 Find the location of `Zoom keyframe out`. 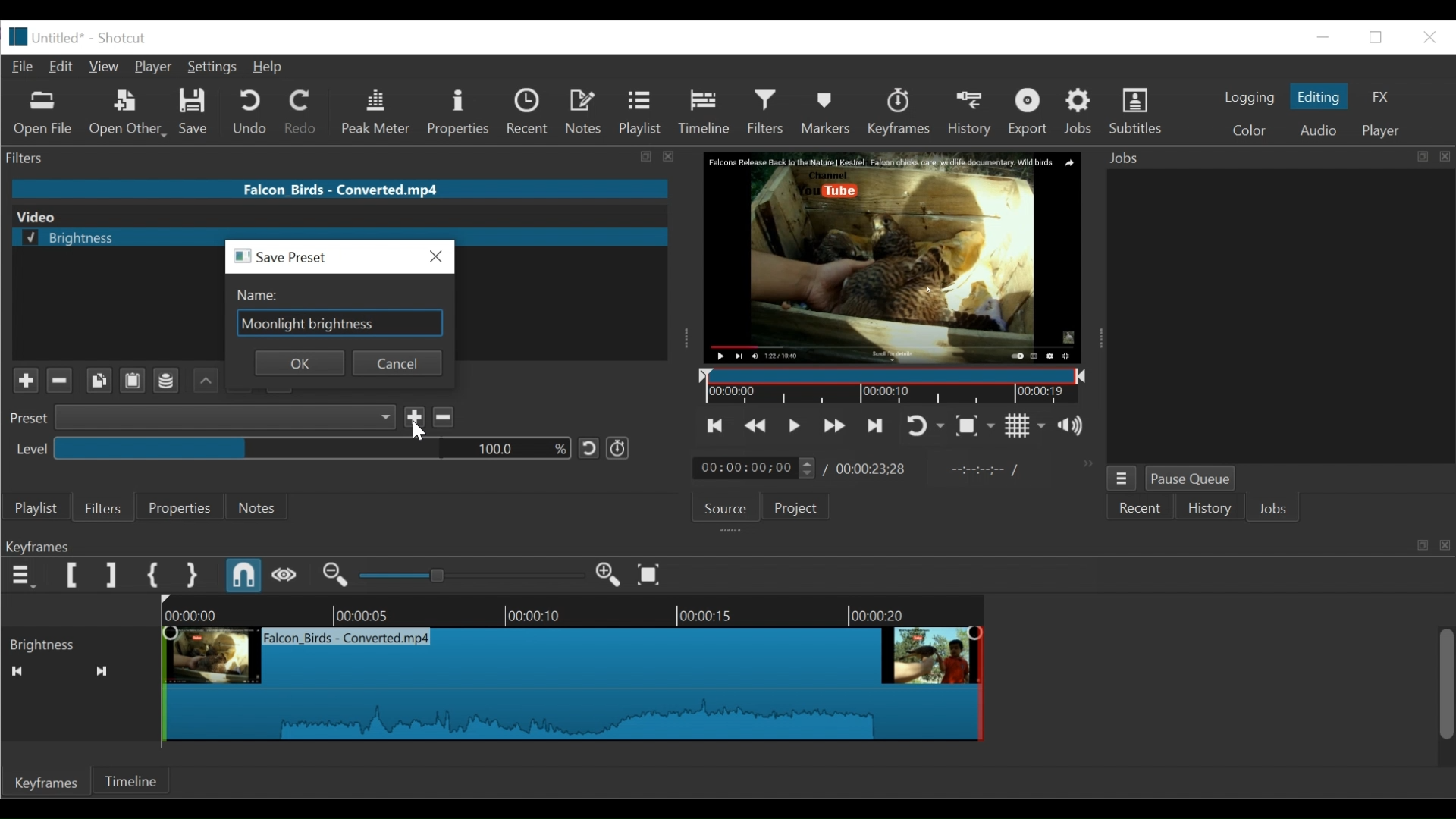

Zoom keyframe out is located at coordinates (335, 576).